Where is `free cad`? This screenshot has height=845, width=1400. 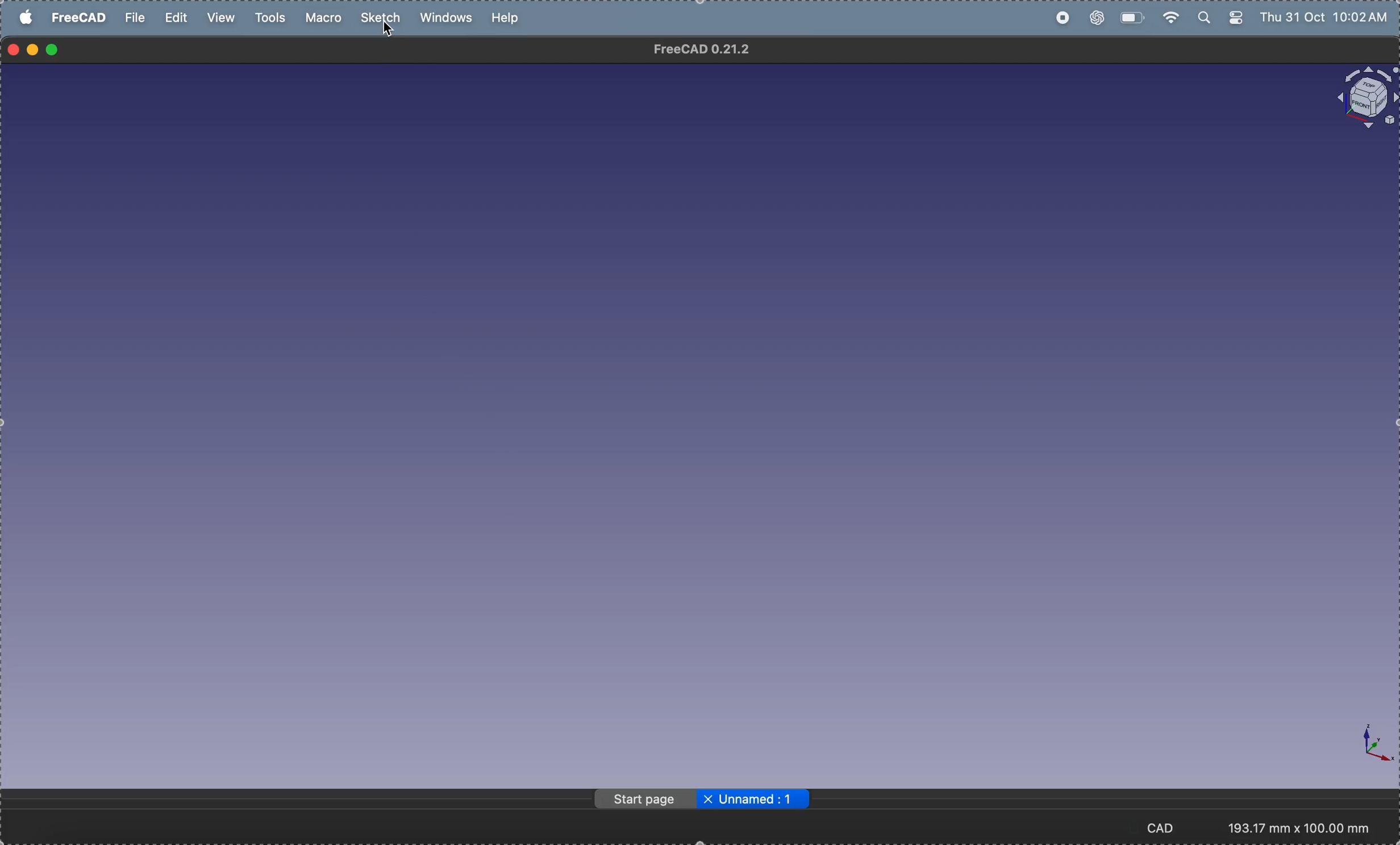 free cad is located at coordinates (81, 17).